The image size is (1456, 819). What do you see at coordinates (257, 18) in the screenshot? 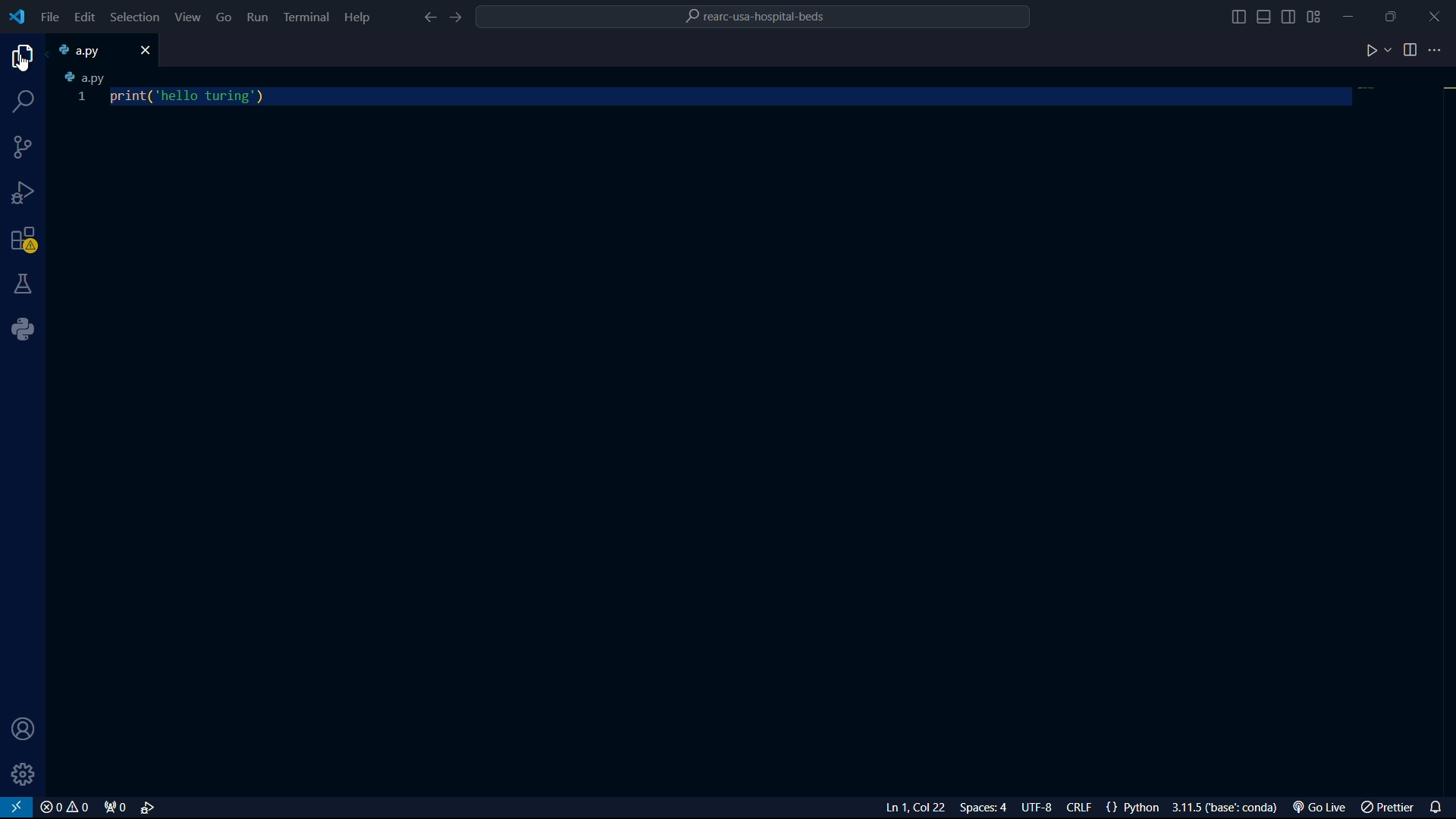
I see `run menu` at bounding box center [257, 18].